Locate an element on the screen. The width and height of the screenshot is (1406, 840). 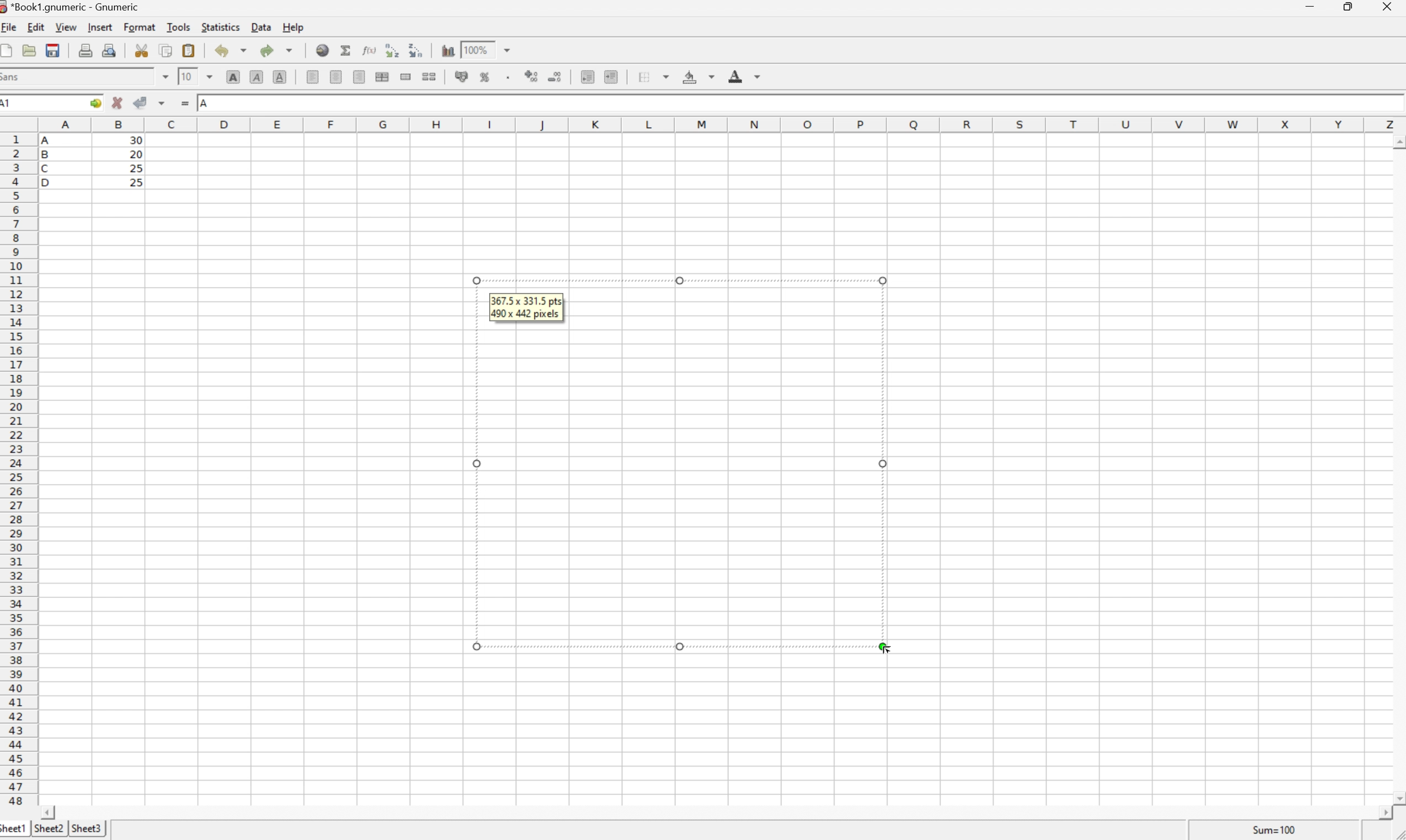
Go to is located at coordinates (95, 101).